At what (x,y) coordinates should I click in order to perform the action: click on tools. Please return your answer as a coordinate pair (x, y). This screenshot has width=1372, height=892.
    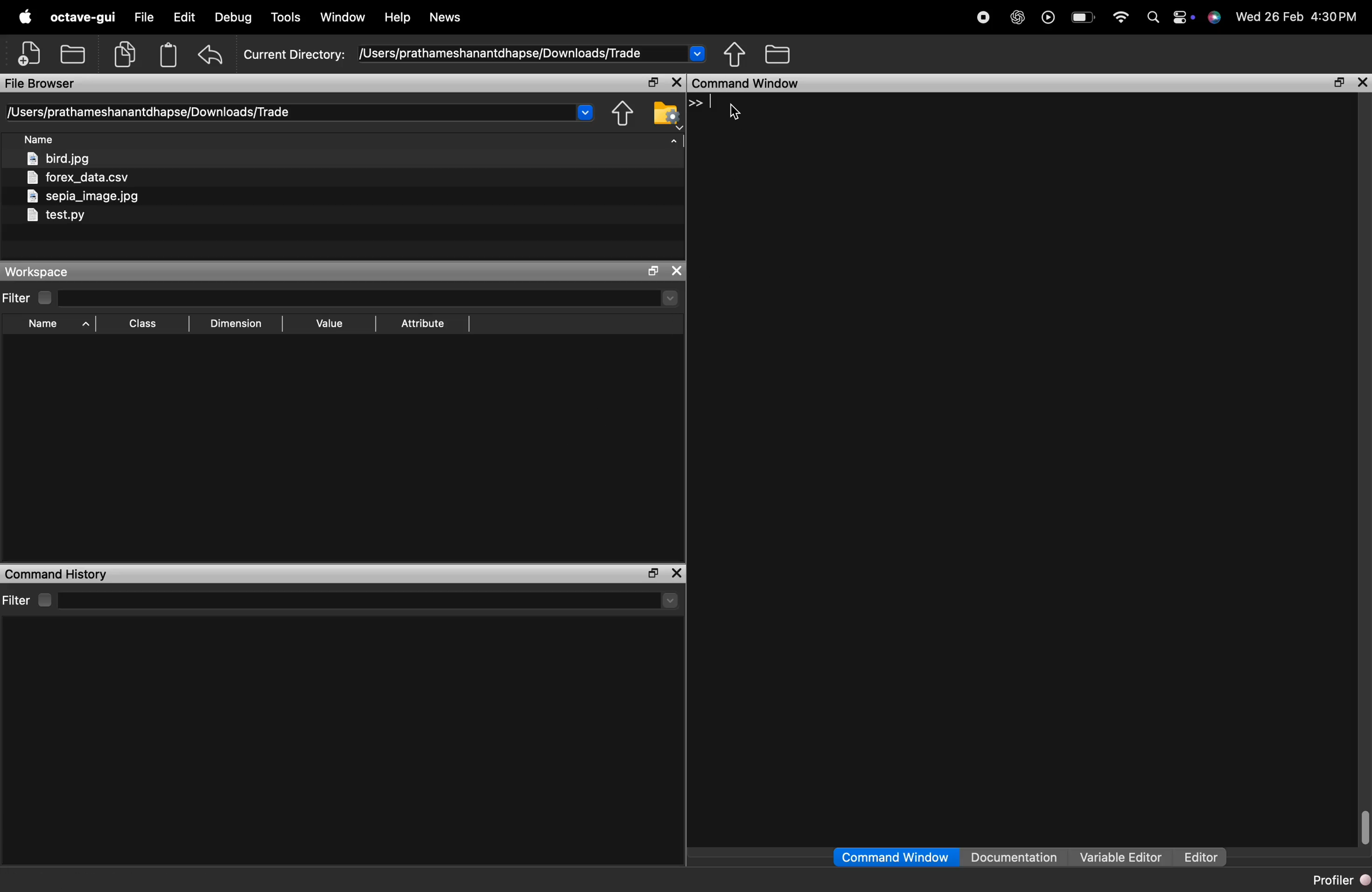
    Looking at the image, I should click on (288, 17).